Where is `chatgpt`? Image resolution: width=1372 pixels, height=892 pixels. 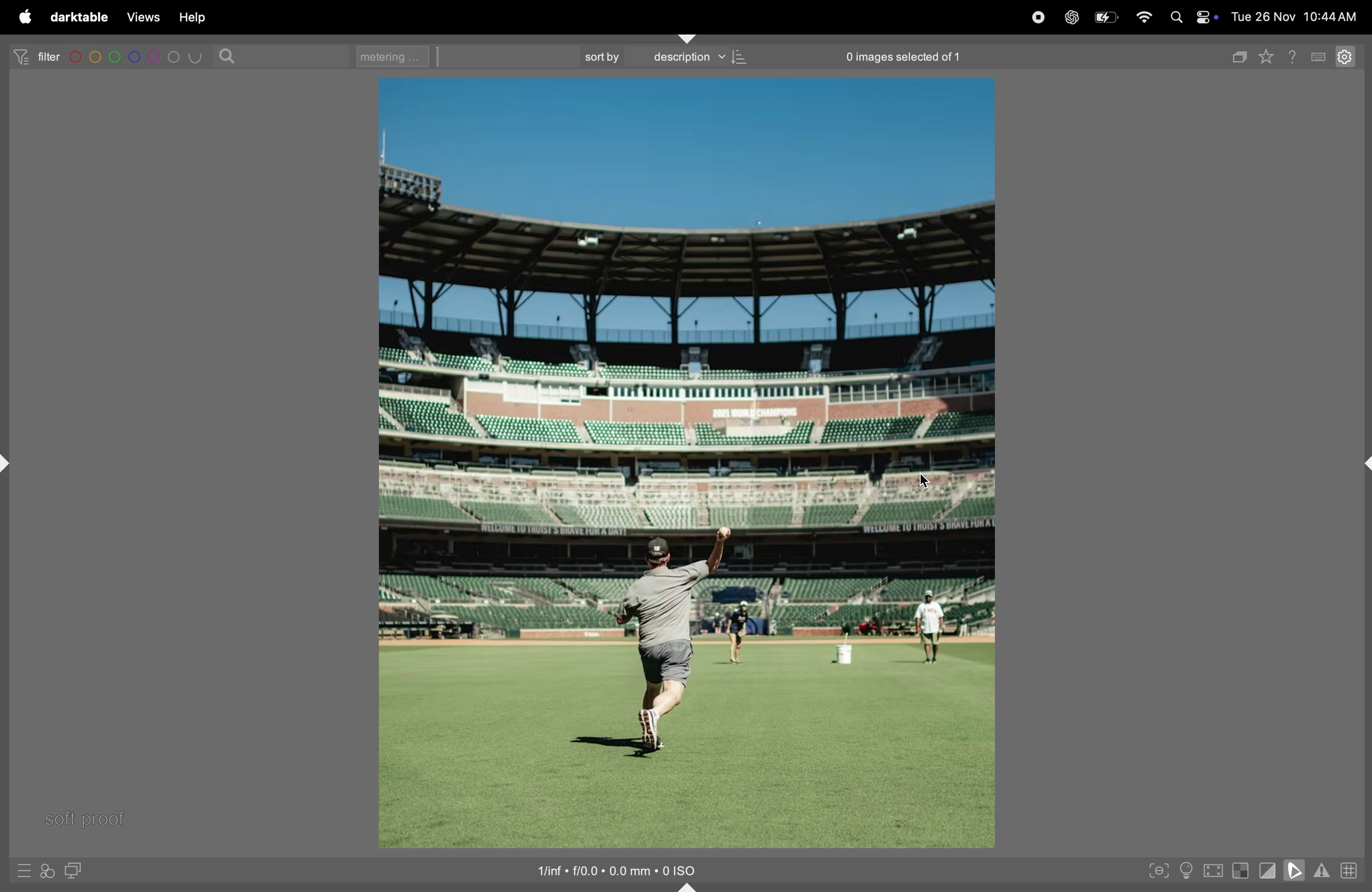
chatgpt is located at coordinates (1069, 17).